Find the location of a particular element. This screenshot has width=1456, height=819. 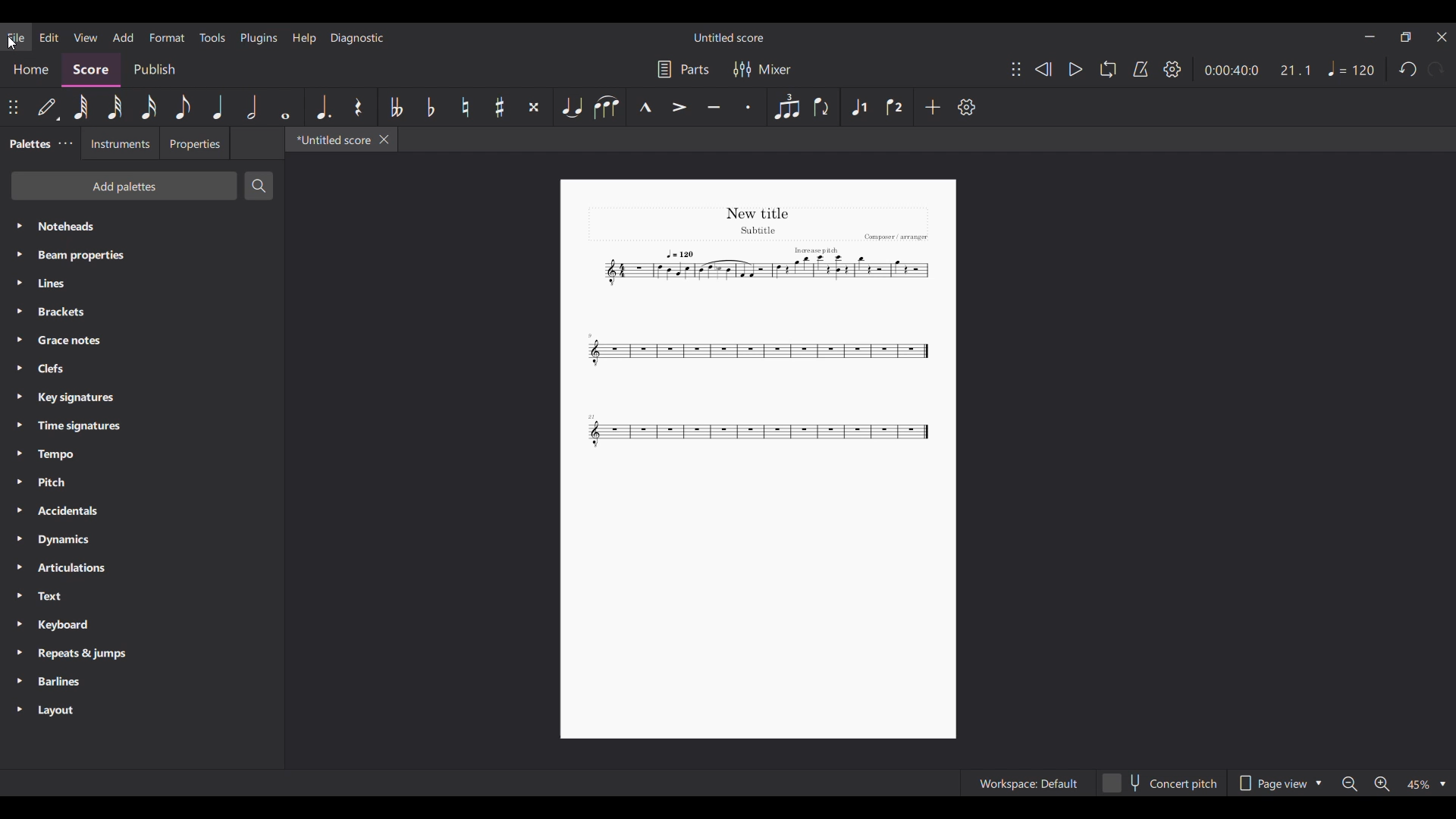

Diagnostic menu is located at coordinates (357, 38).